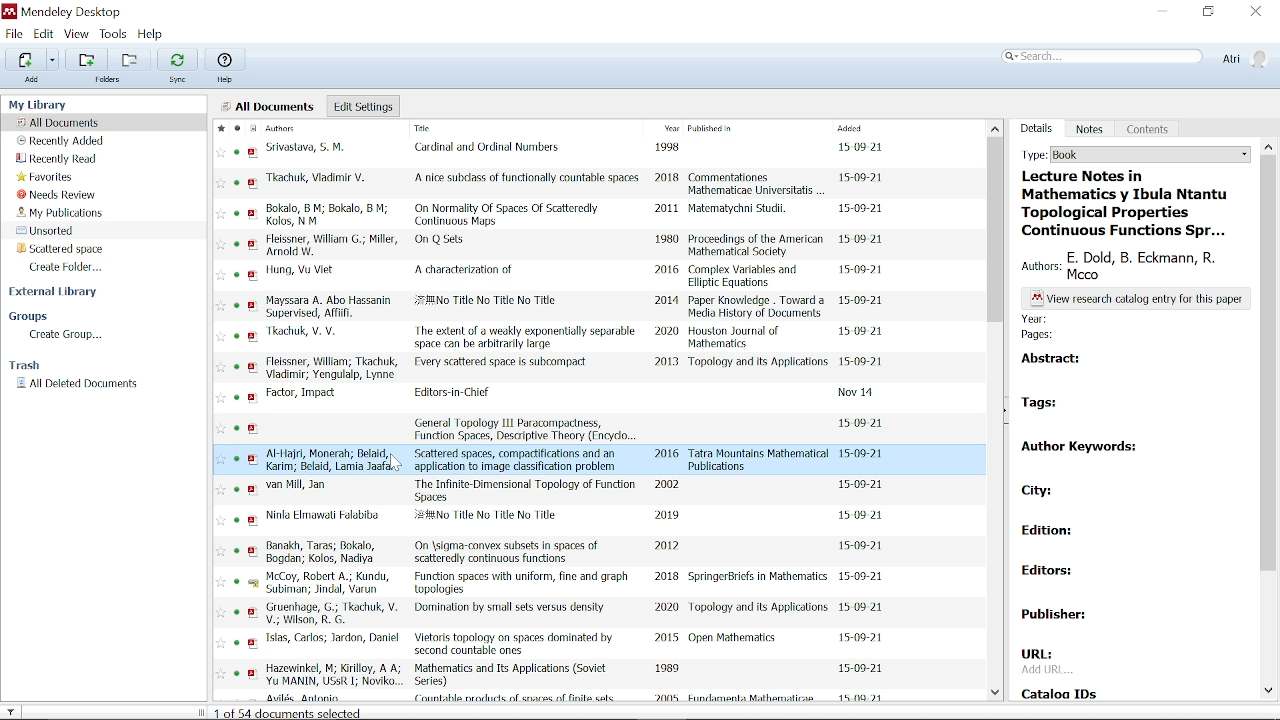 The image size is (1280, 720). I want to click on Published in, so click(747, 130).